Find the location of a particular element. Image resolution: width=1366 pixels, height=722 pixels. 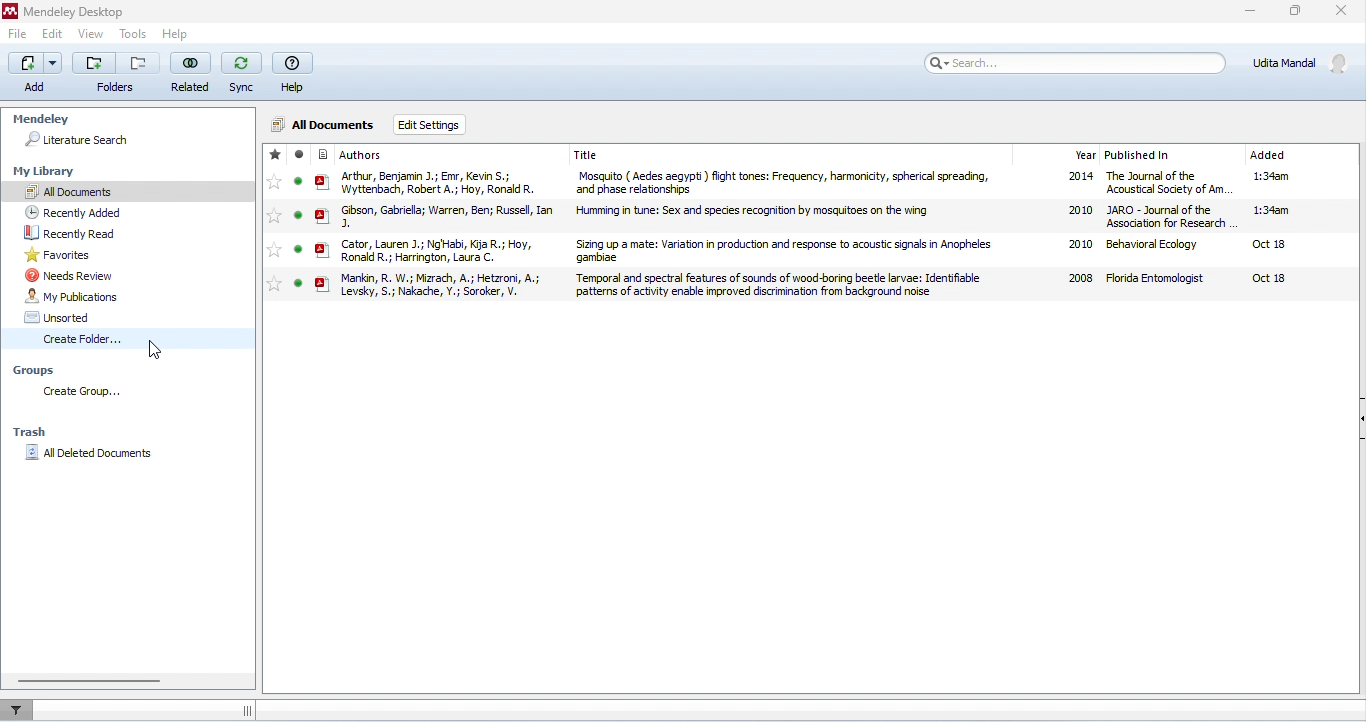

cursor is located at coordinates (157, 350).